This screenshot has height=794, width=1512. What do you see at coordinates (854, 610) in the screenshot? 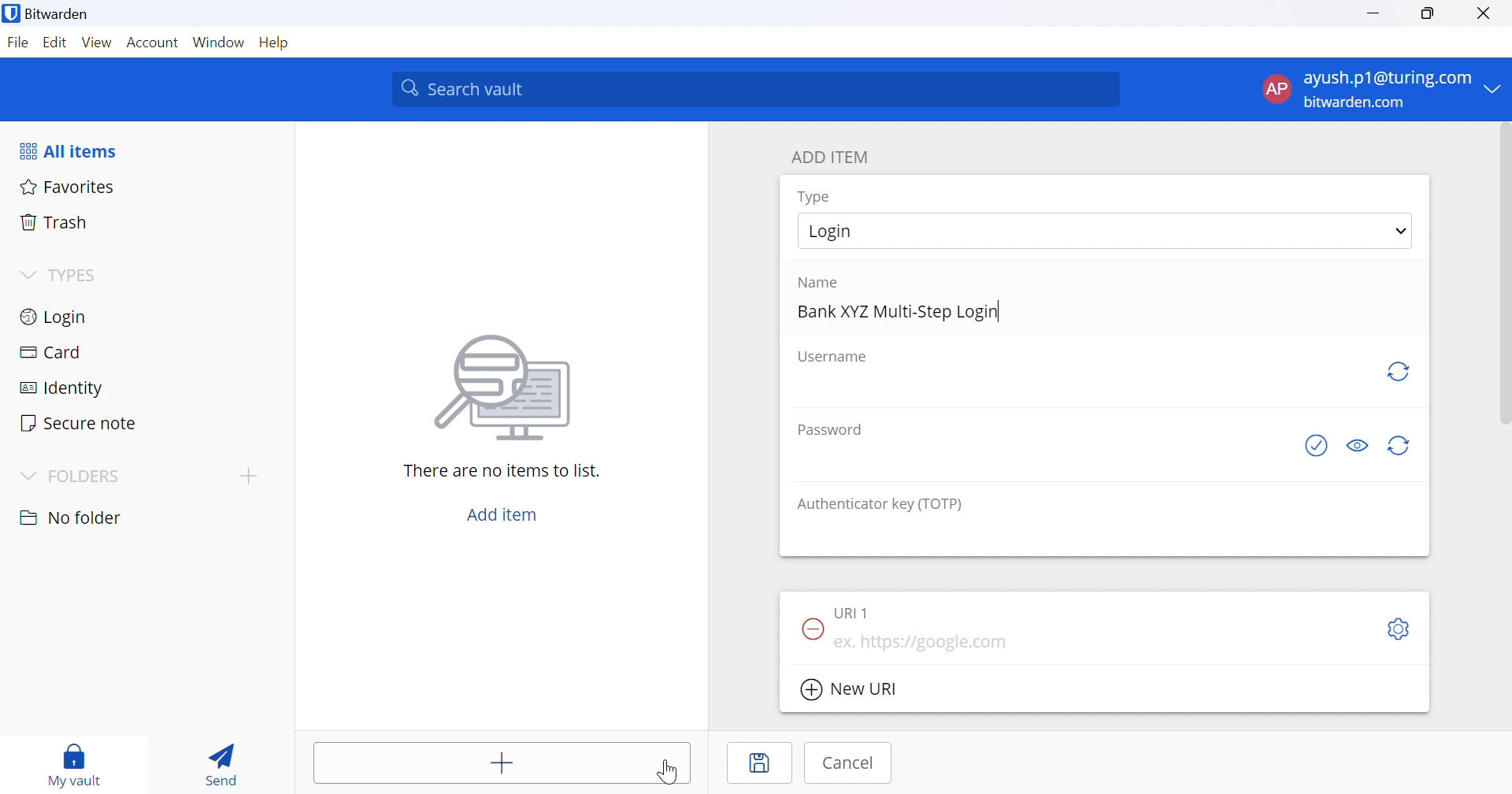
I see `URI 1` at bounding box center [854, 610].